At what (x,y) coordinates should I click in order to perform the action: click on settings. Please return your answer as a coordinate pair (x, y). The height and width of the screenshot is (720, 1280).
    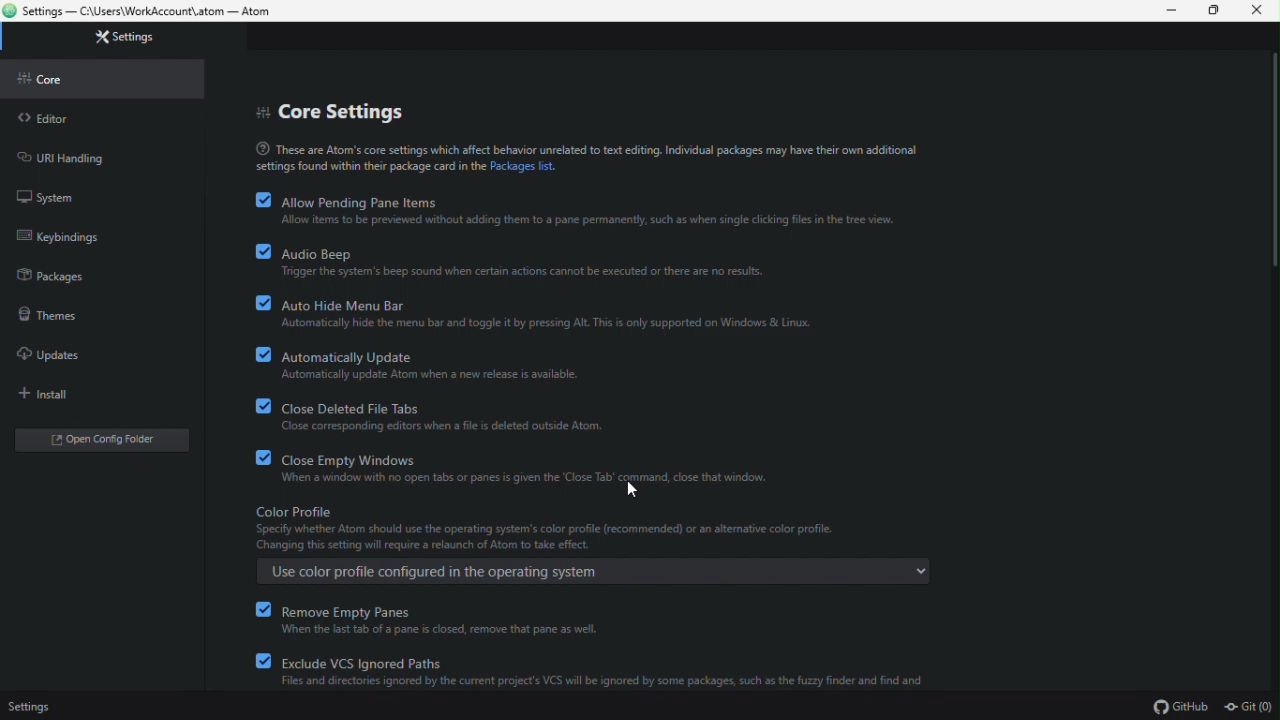
    Looking at the image, I should click on (128, 37).